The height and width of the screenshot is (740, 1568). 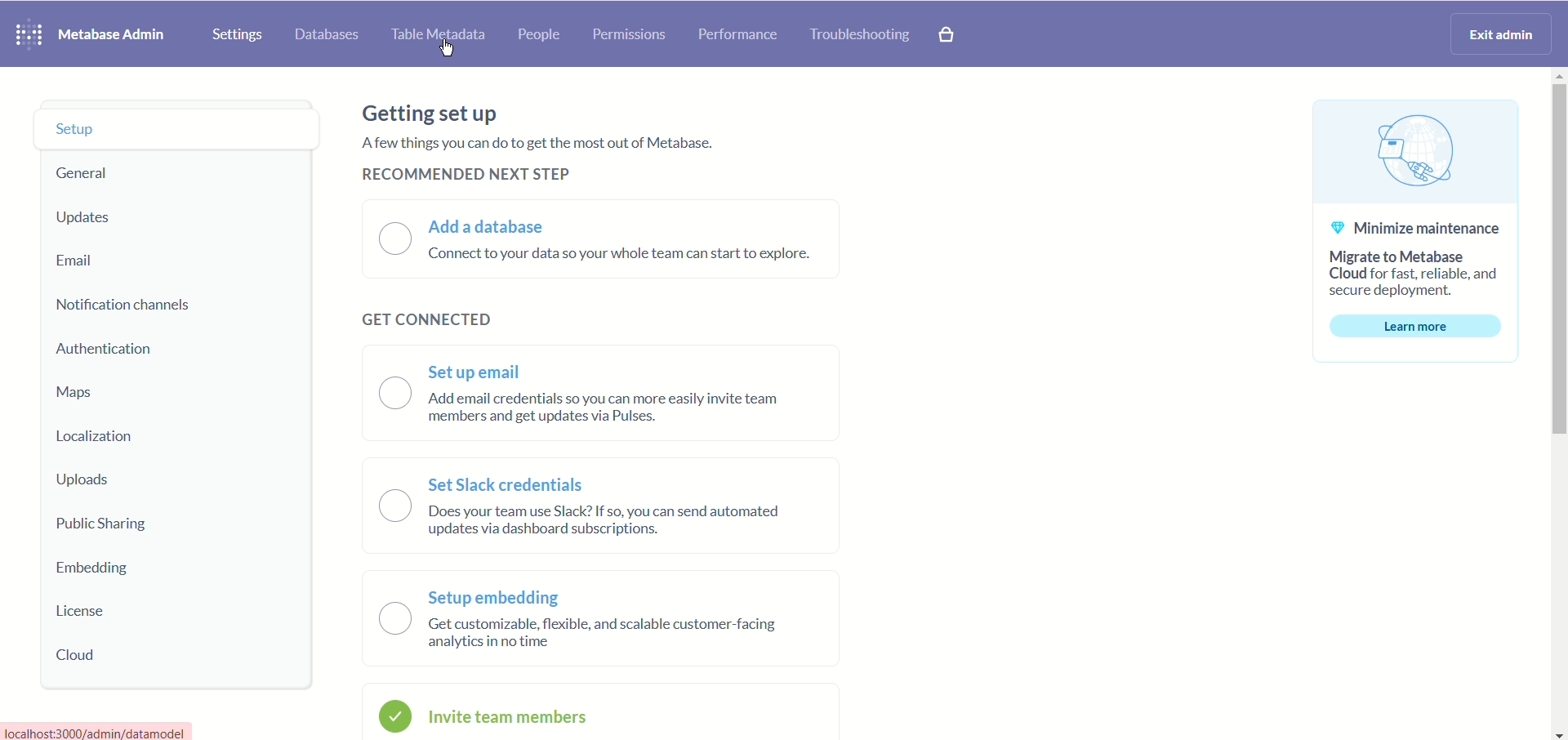 What do you see at coordinates (161, 564) in the screenshot?
I see `Embedding` at bounding box center [161, 564].